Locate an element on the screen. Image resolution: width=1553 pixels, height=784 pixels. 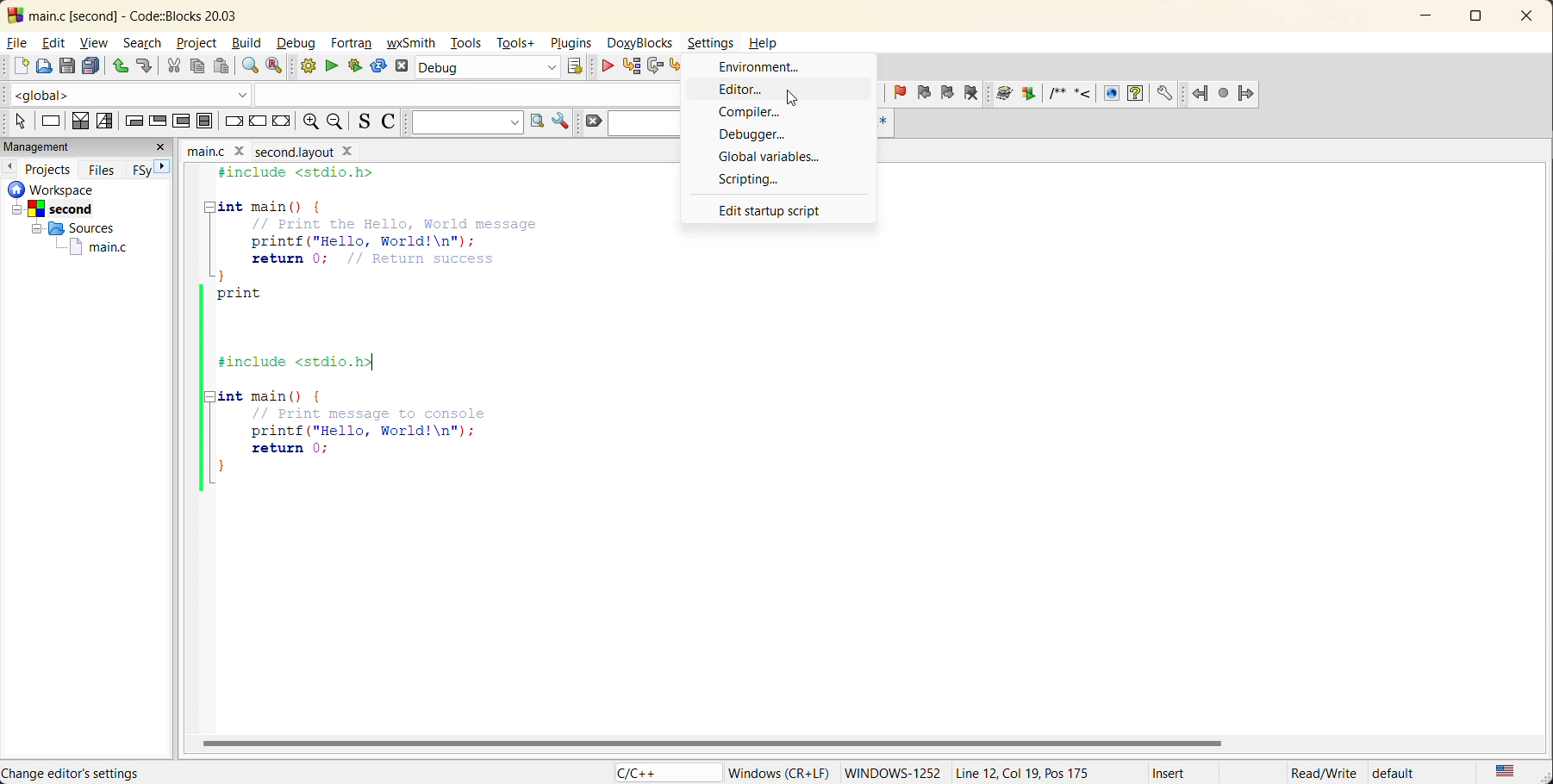
 is located at coordinates (52, 208).